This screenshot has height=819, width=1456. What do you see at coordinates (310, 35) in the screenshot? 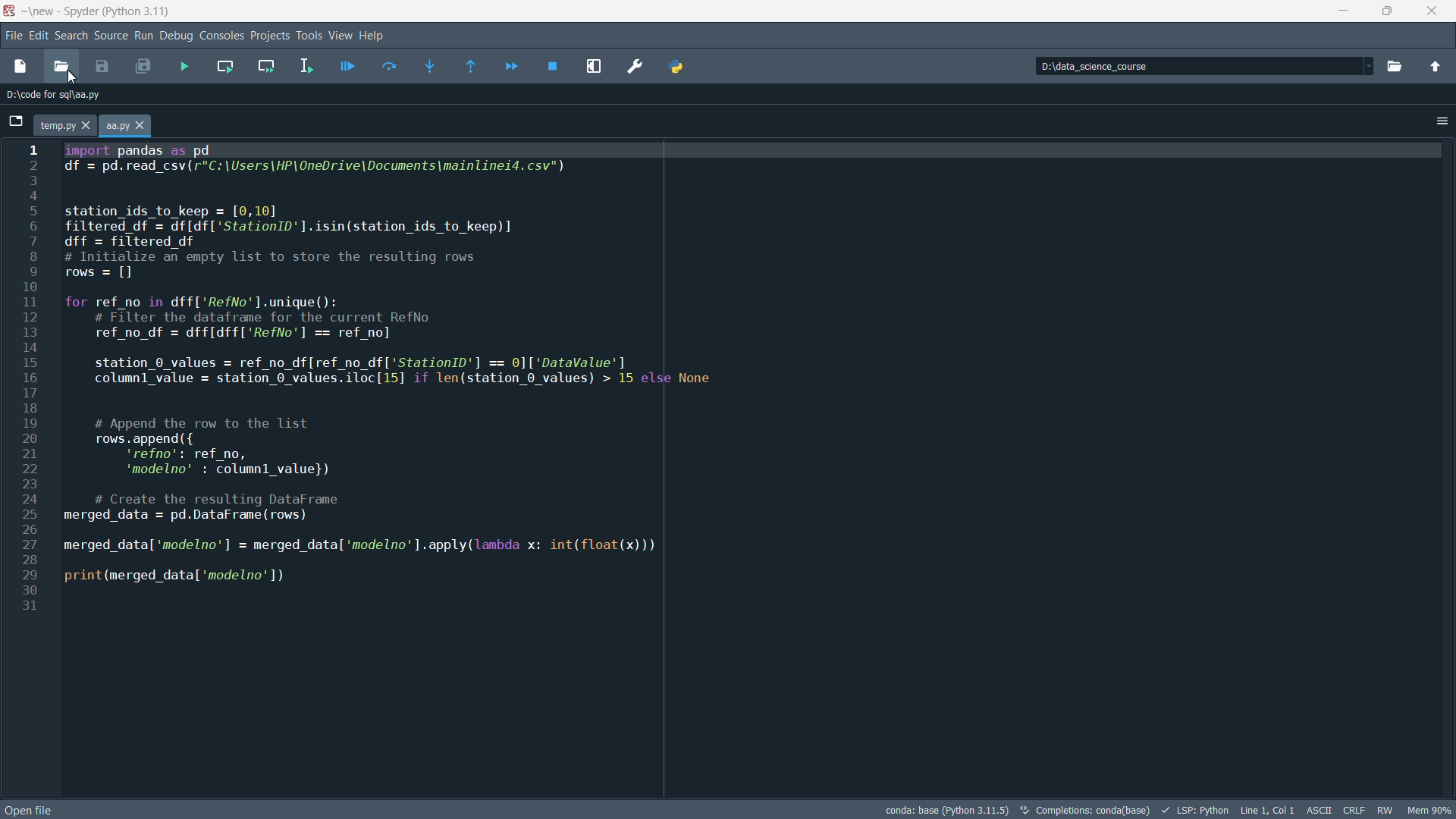
I see `tools menu` at bounding box center [310, 35].